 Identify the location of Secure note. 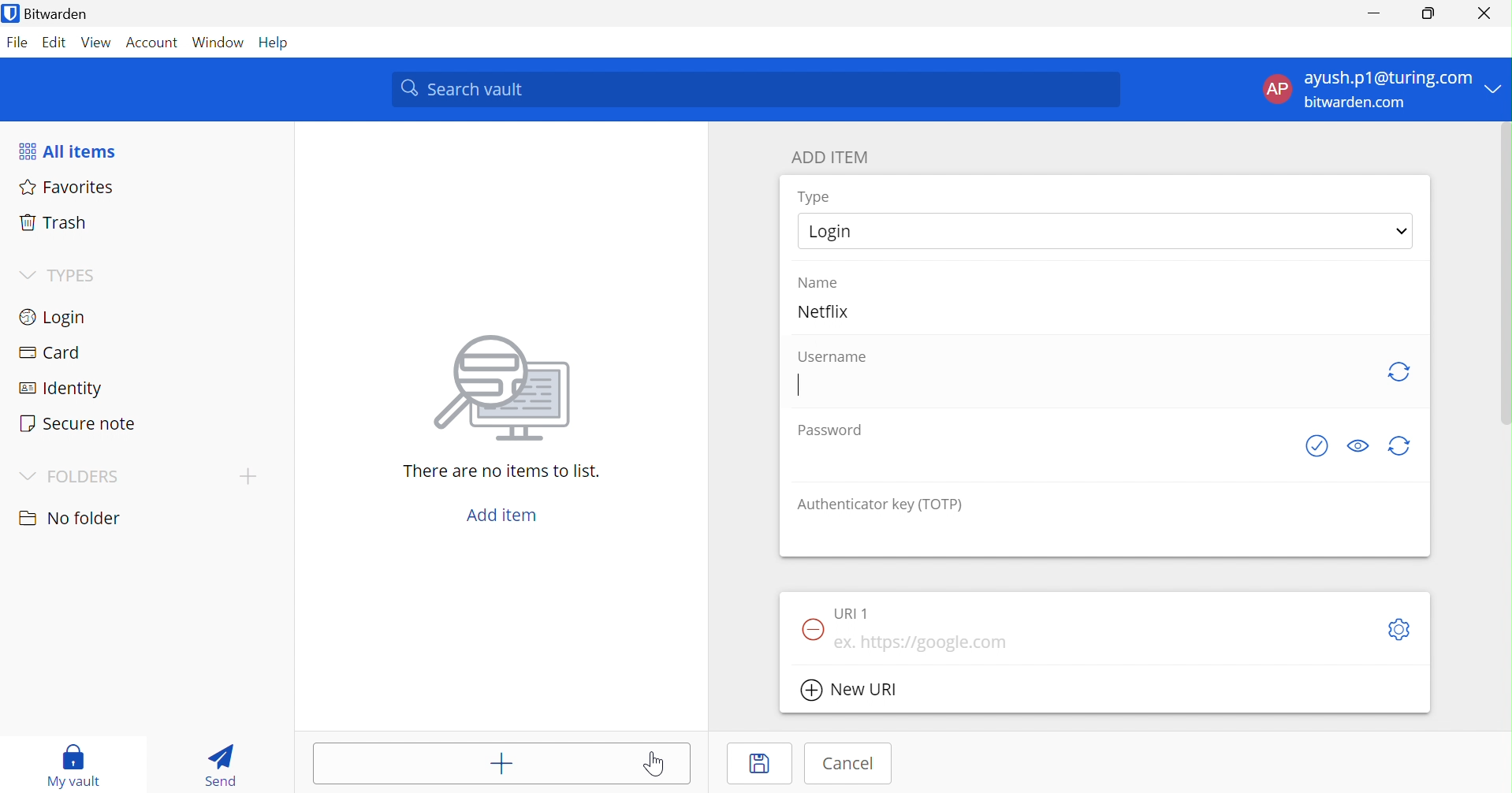
(80, 422).